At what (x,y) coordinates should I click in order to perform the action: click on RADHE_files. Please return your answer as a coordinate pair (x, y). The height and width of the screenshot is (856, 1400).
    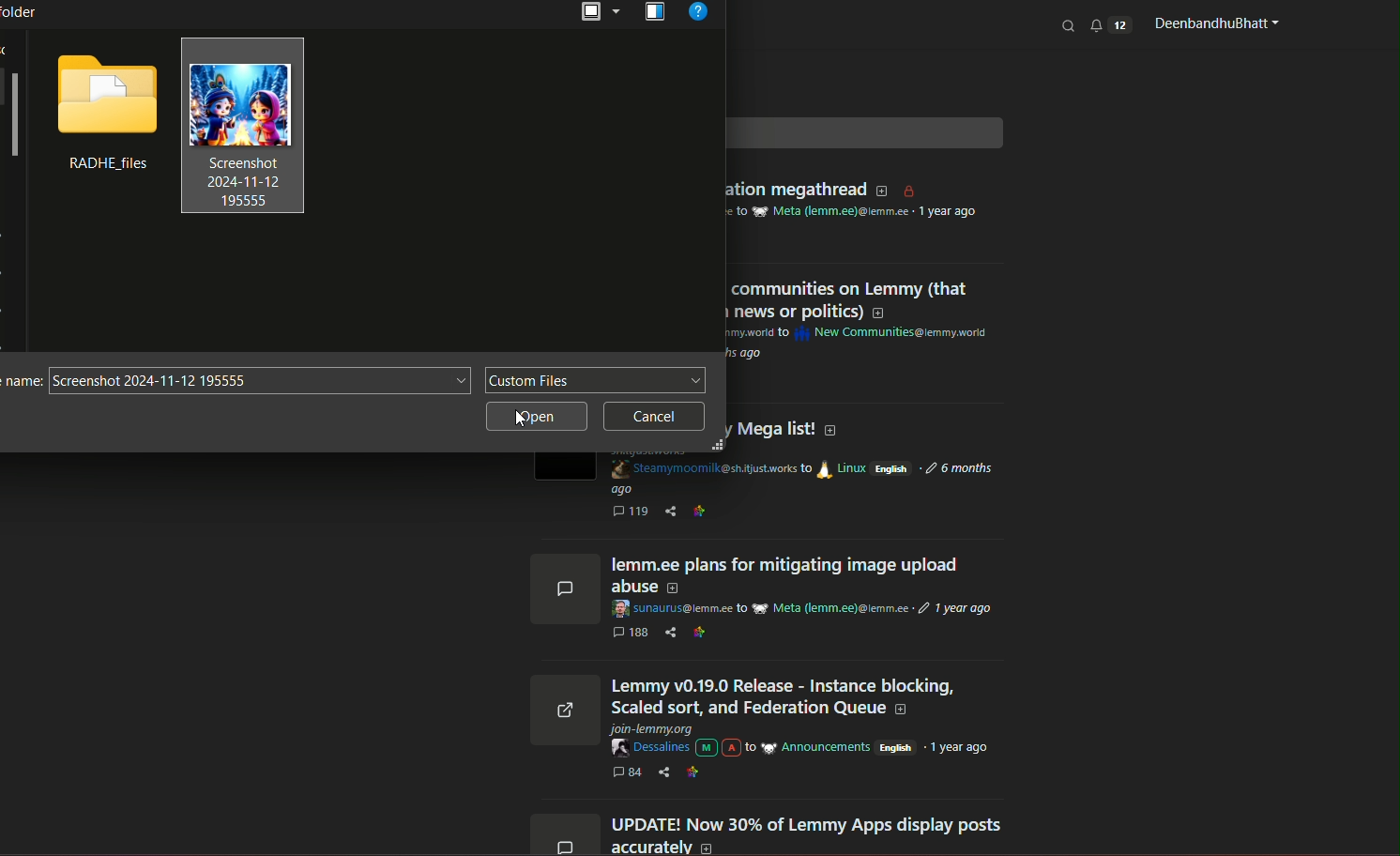
    Looking at the image, I should click on (103, 166).